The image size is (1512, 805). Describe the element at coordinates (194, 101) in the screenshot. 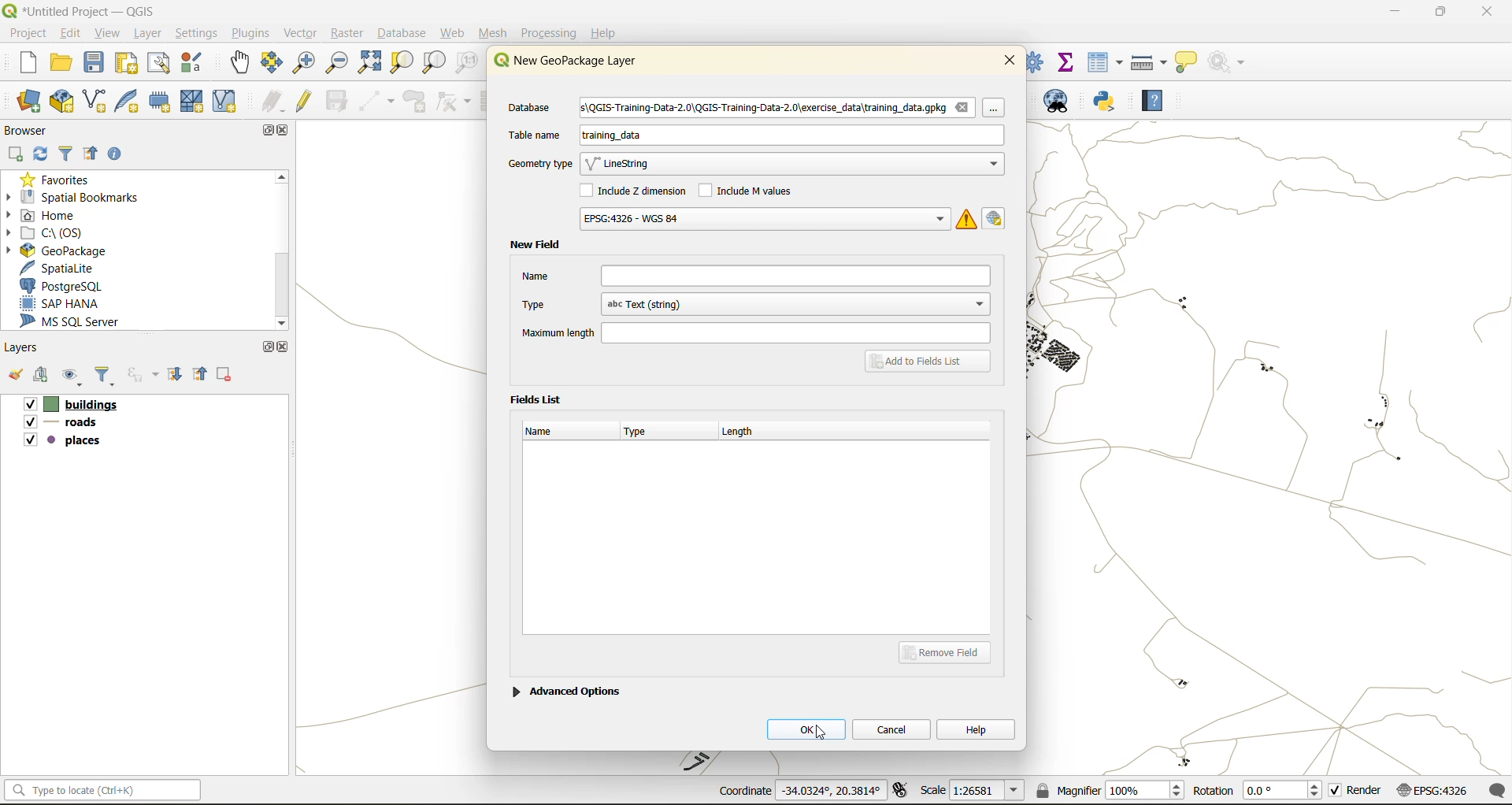

I see `mesh` at that location.